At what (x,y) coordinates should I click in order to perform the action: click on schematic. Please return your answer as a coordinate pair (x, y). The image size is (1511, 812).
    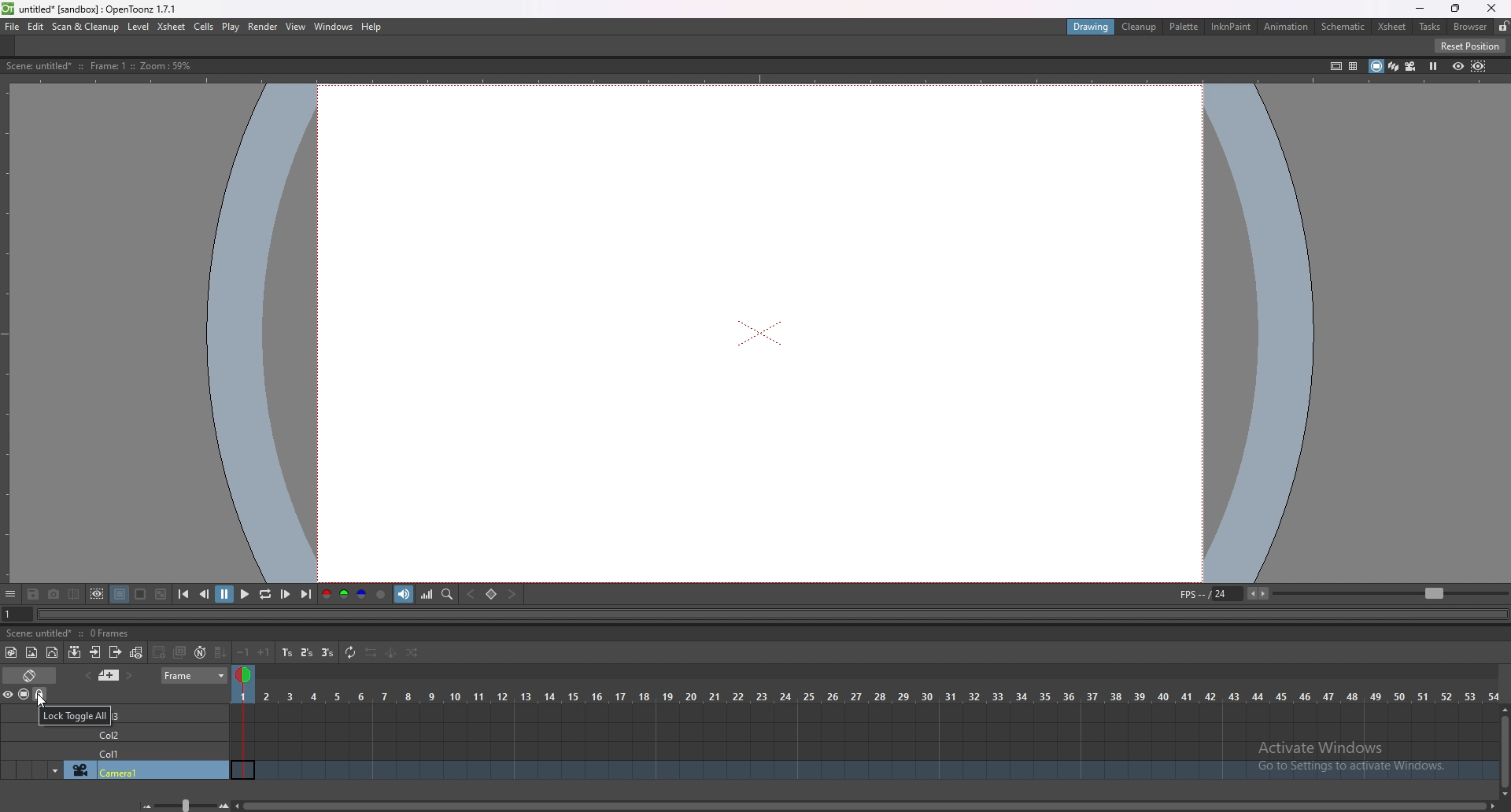
    Looking at the image, I should click on (1343, 26).